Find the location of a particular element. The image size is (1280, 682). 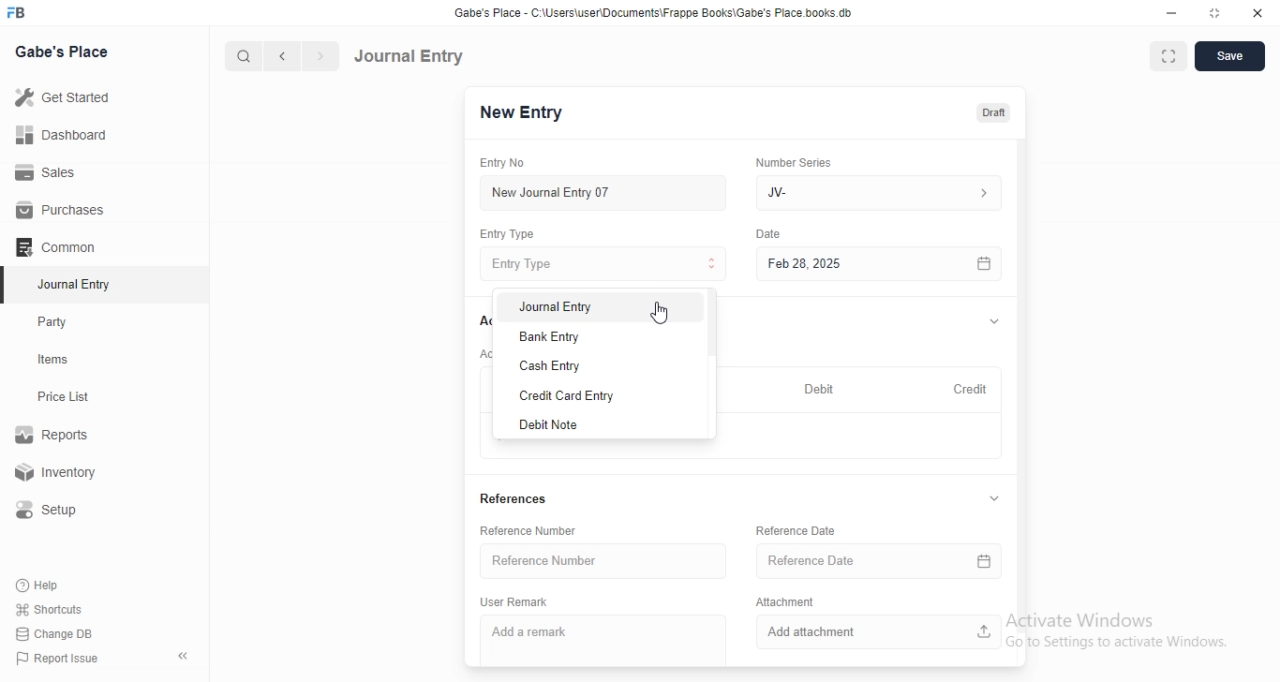

Setup is located at coordinates (54, 510).